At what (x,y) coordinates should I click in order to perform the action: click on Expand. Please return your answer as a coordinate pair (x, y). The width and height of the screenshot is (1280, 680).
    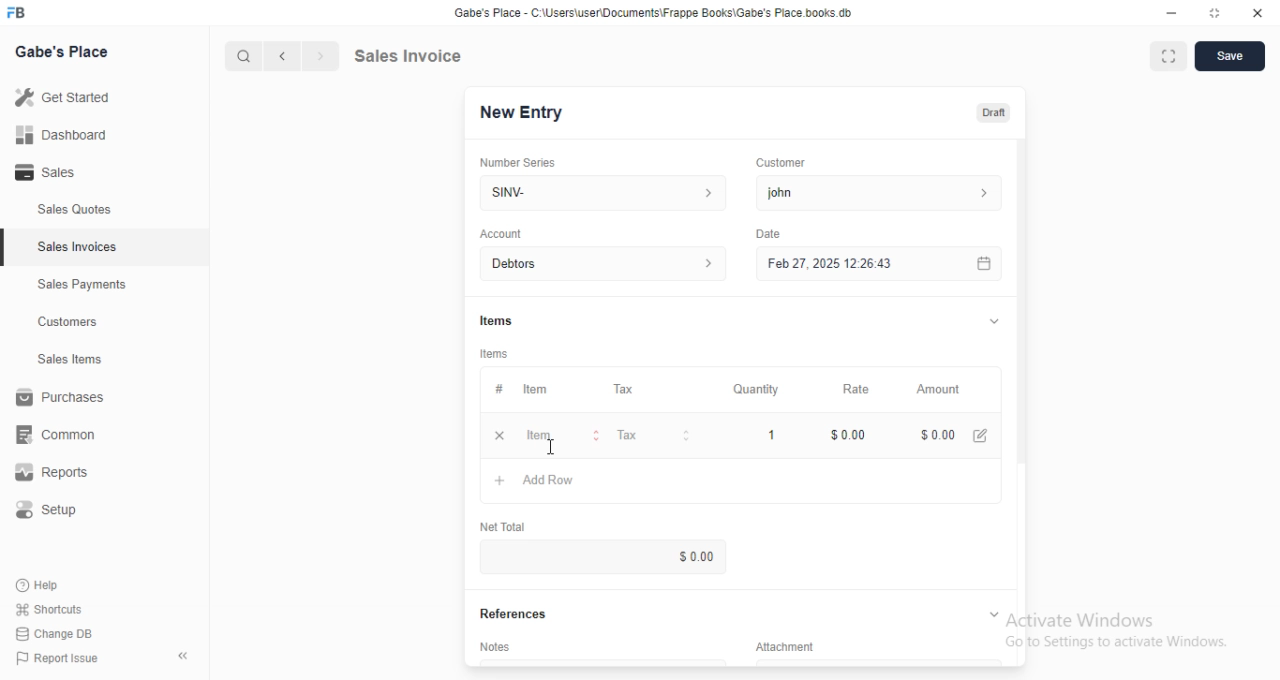
    Looking at the image, I should click on (1215, 14).